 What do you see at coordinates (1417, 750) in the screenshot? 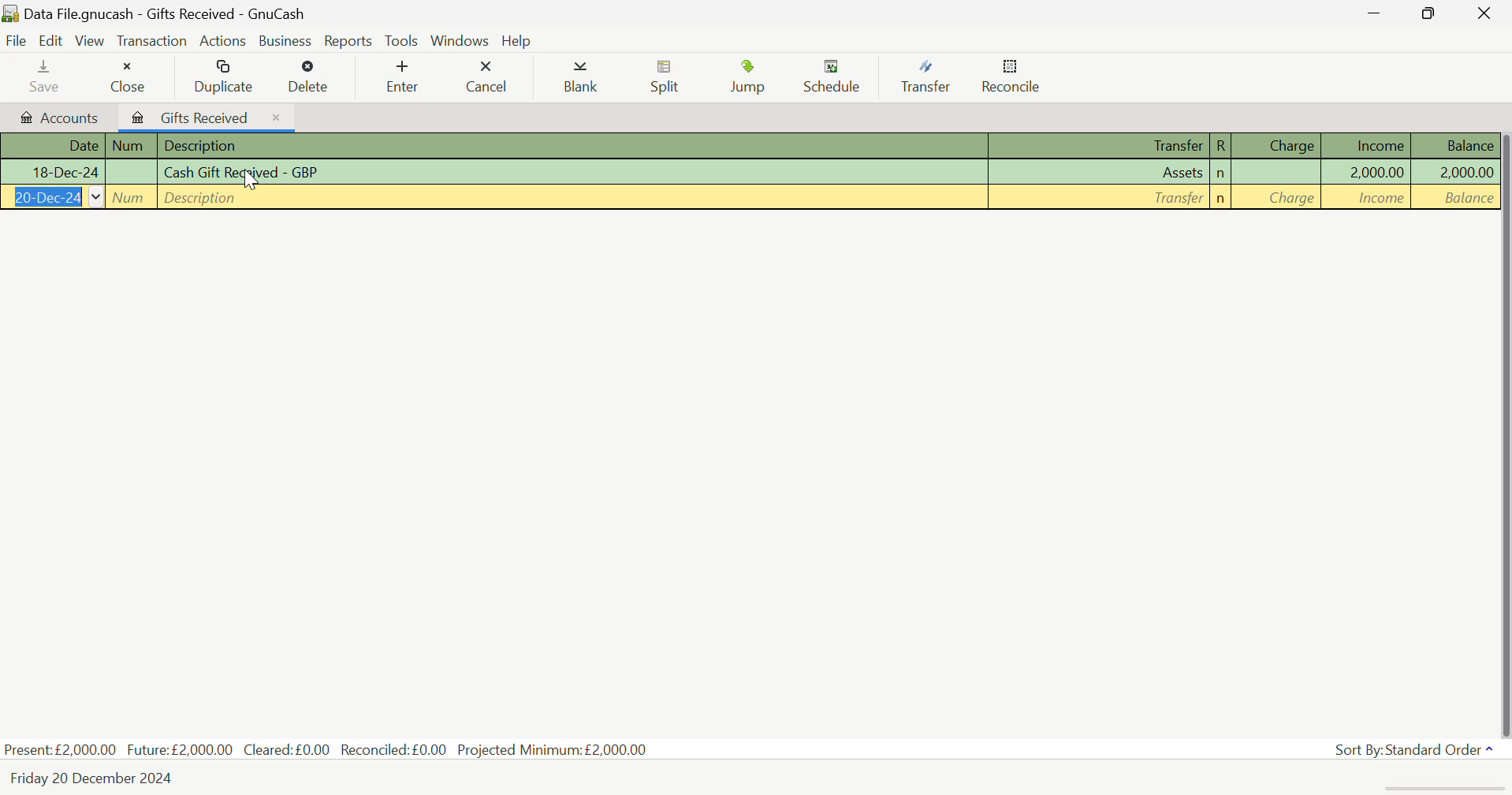
I see `Sort By: Standard Order` at bounding box center [1417, 750].